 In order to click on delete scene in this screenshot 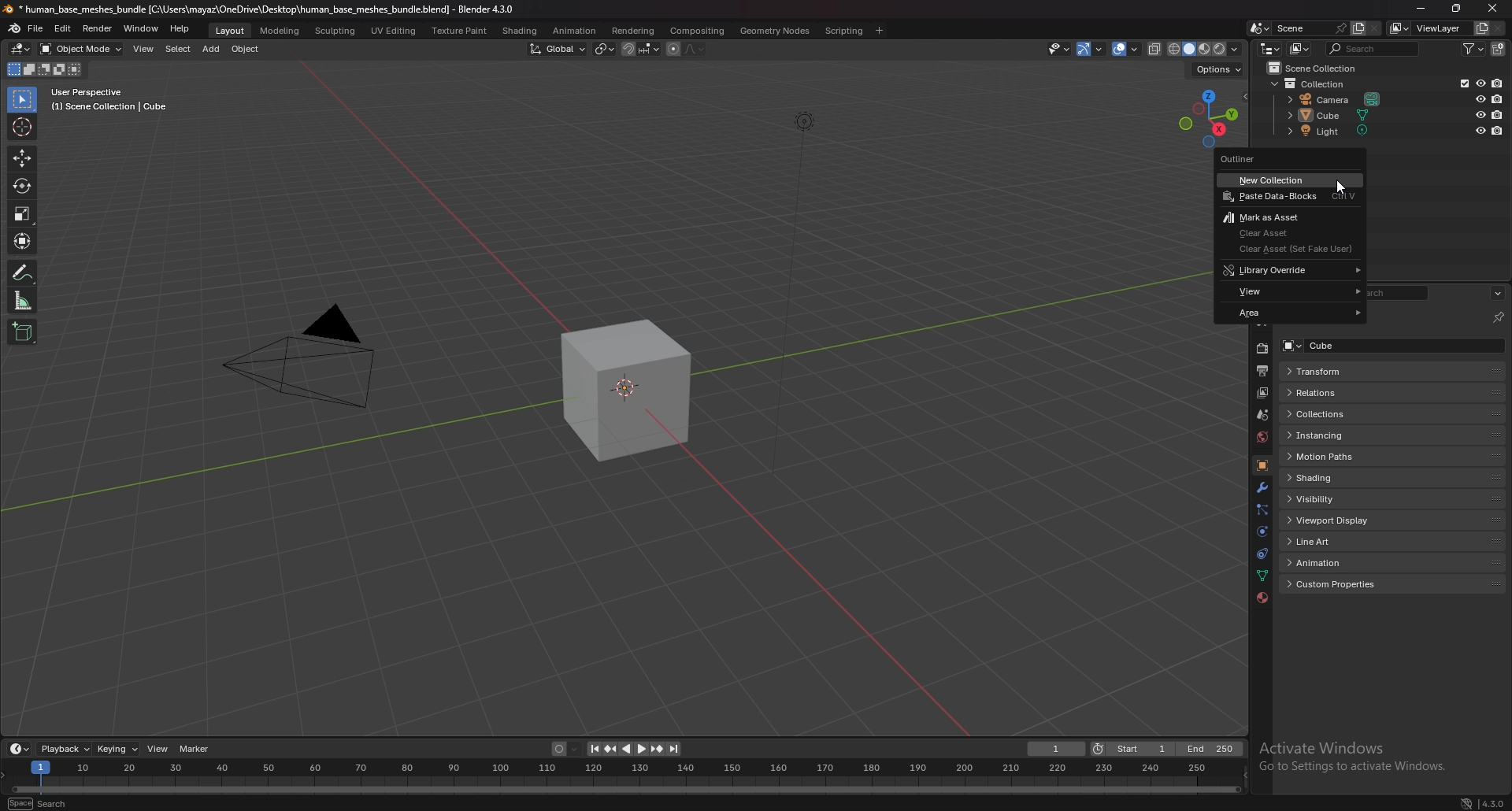, I will do `click(1375, 28)`.